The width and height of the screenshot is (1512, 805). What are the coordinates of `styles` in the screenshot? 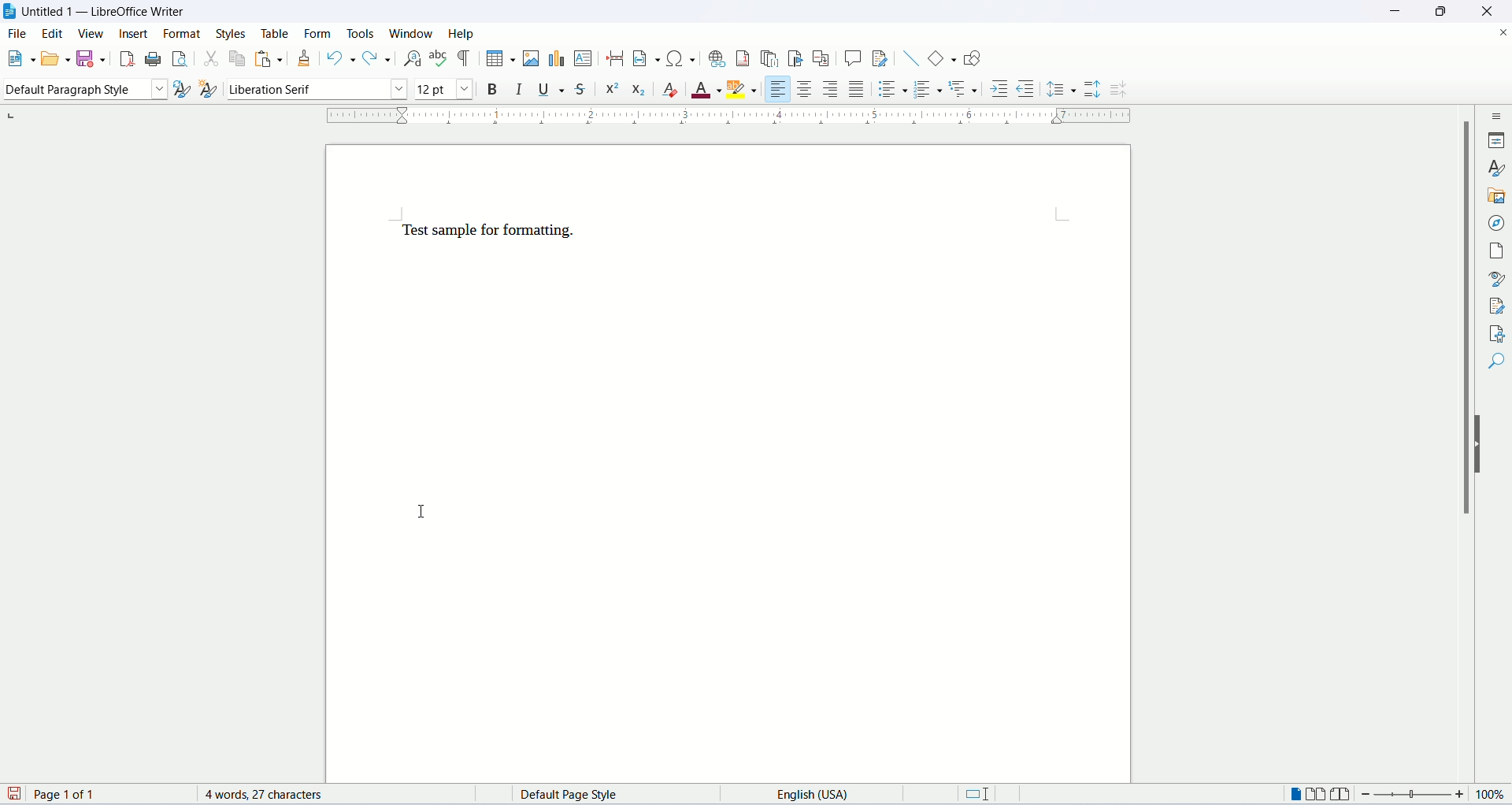 It's located at (233, 31).